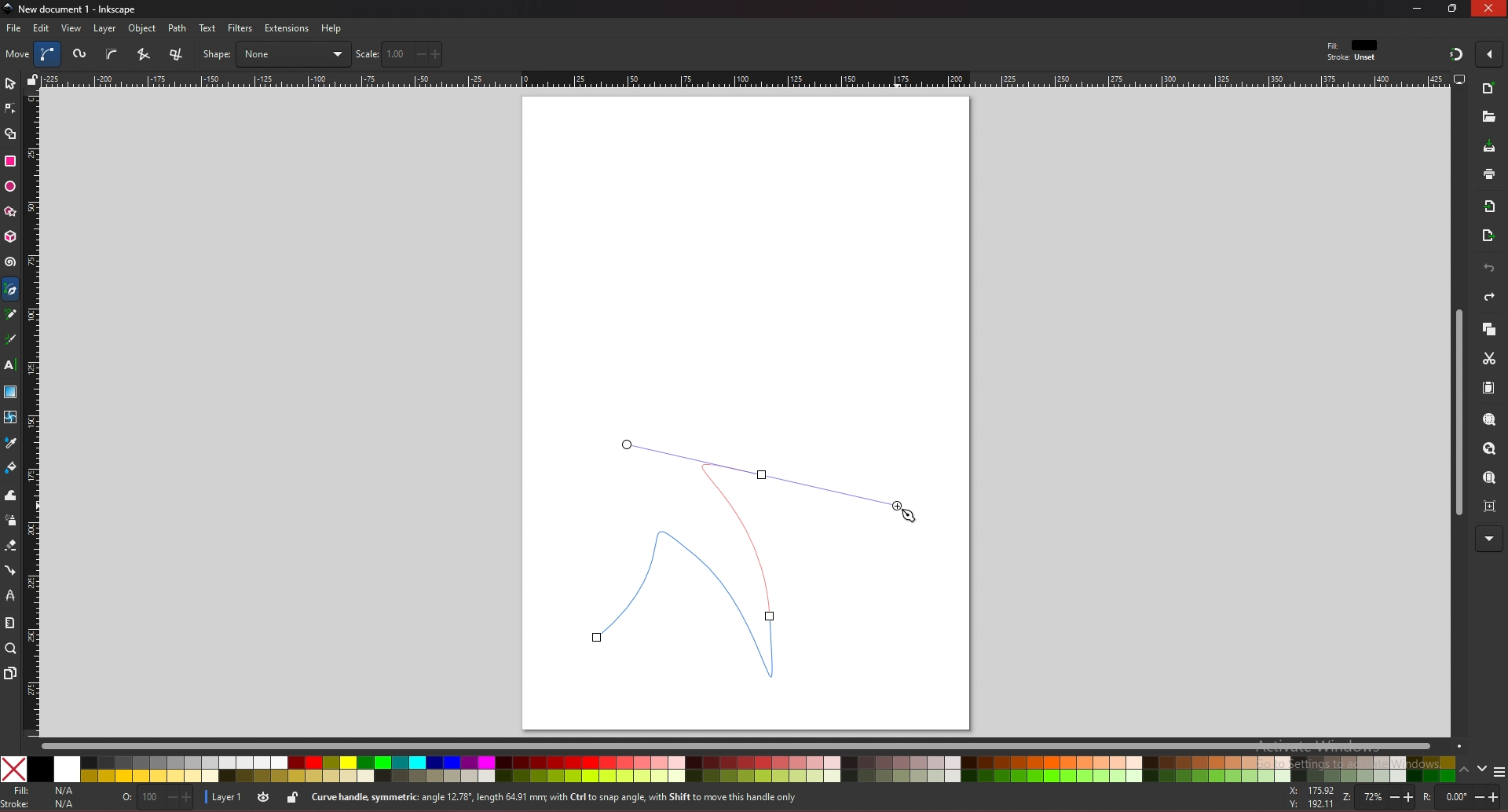 The image size is (1508, 812). I want to click on ellipse, so click(10, 187).